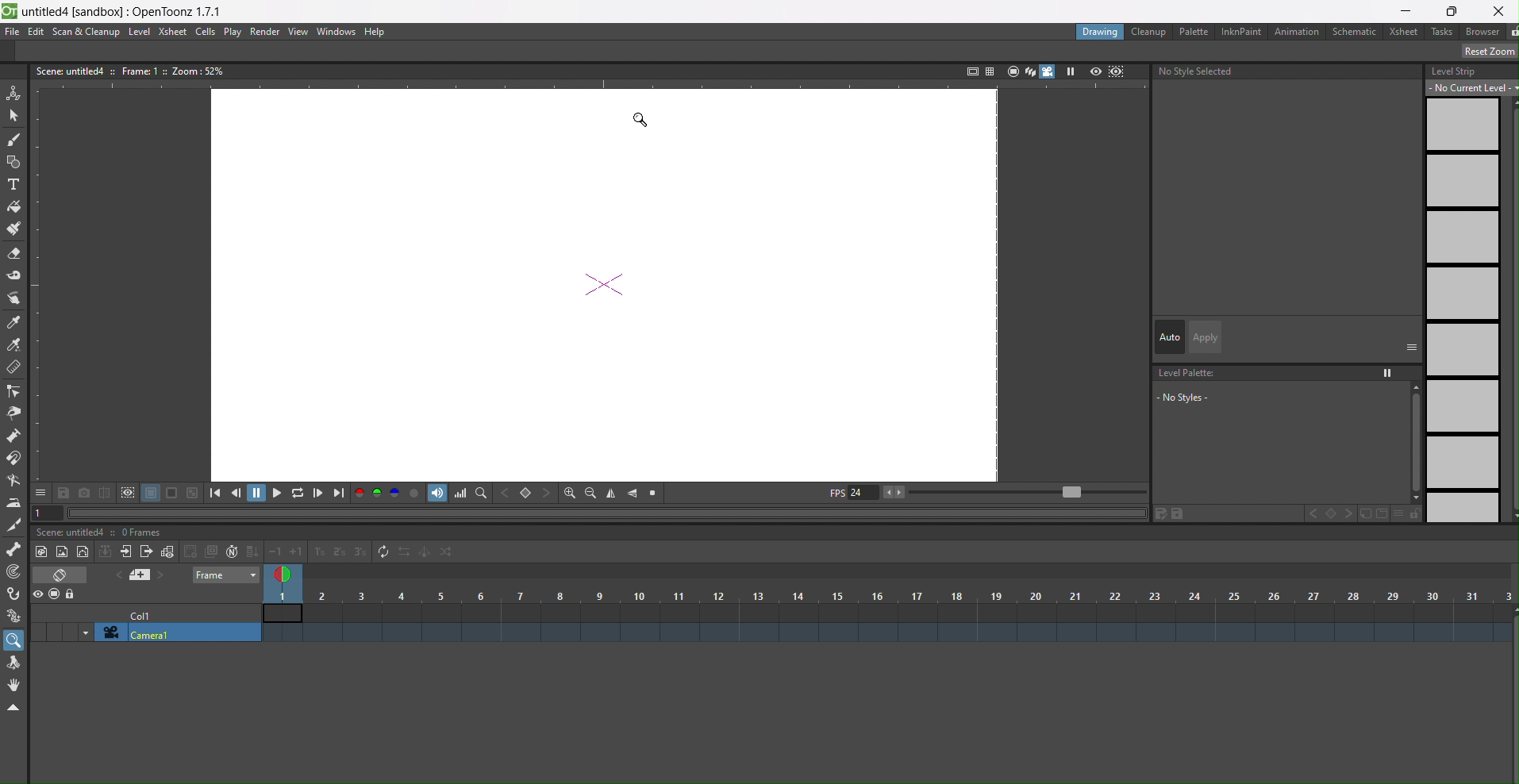  I want to click on reset position, so click(1482, 52).